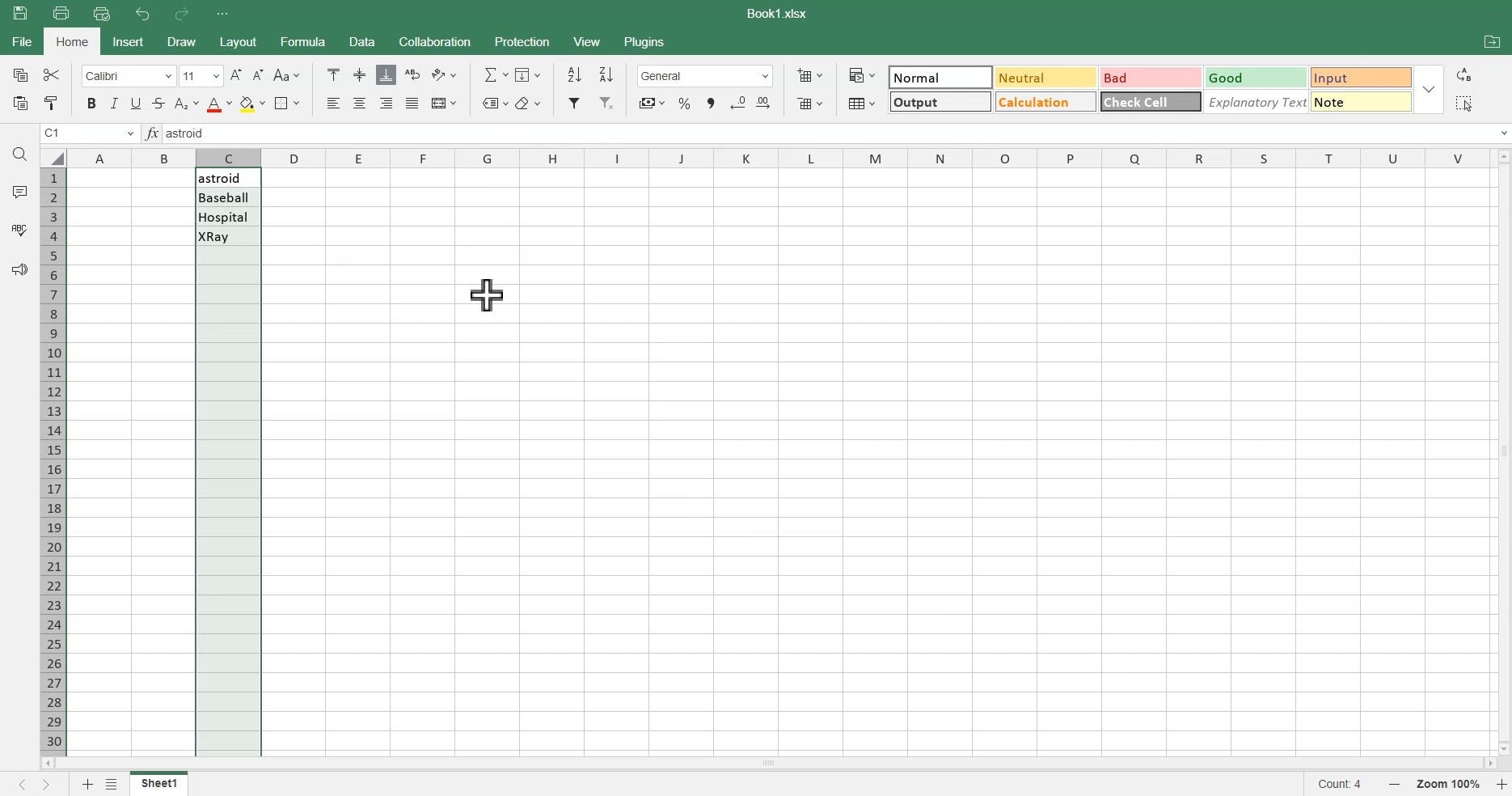  What do you see at coordinates (767, 104) in the screenshot?
I see `Increase Decimal` at bounding box center [767, 104].